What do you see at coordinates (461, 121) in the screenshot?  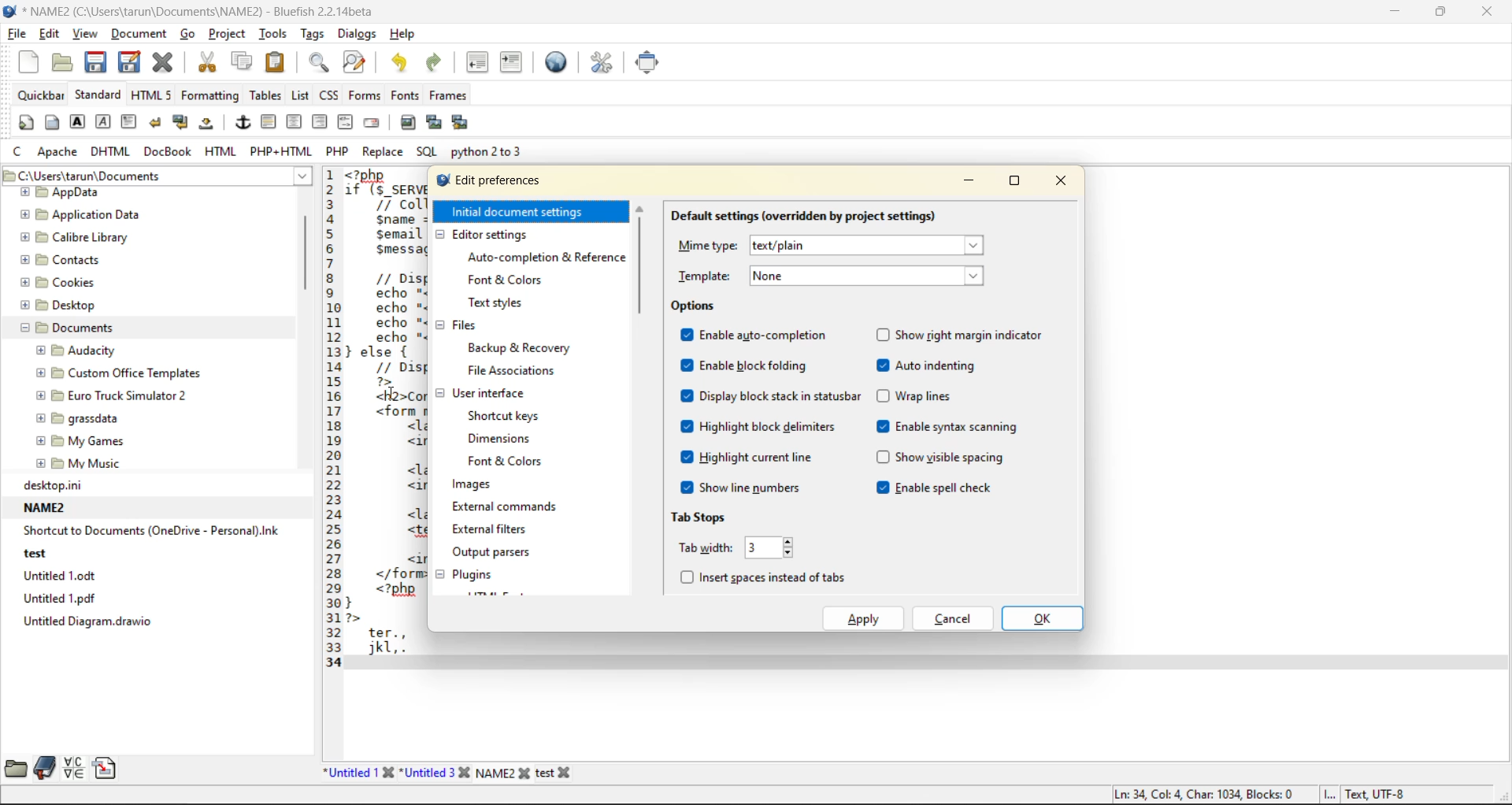 I see `insert multiple thumbnail` at bounding box center [461, 121].